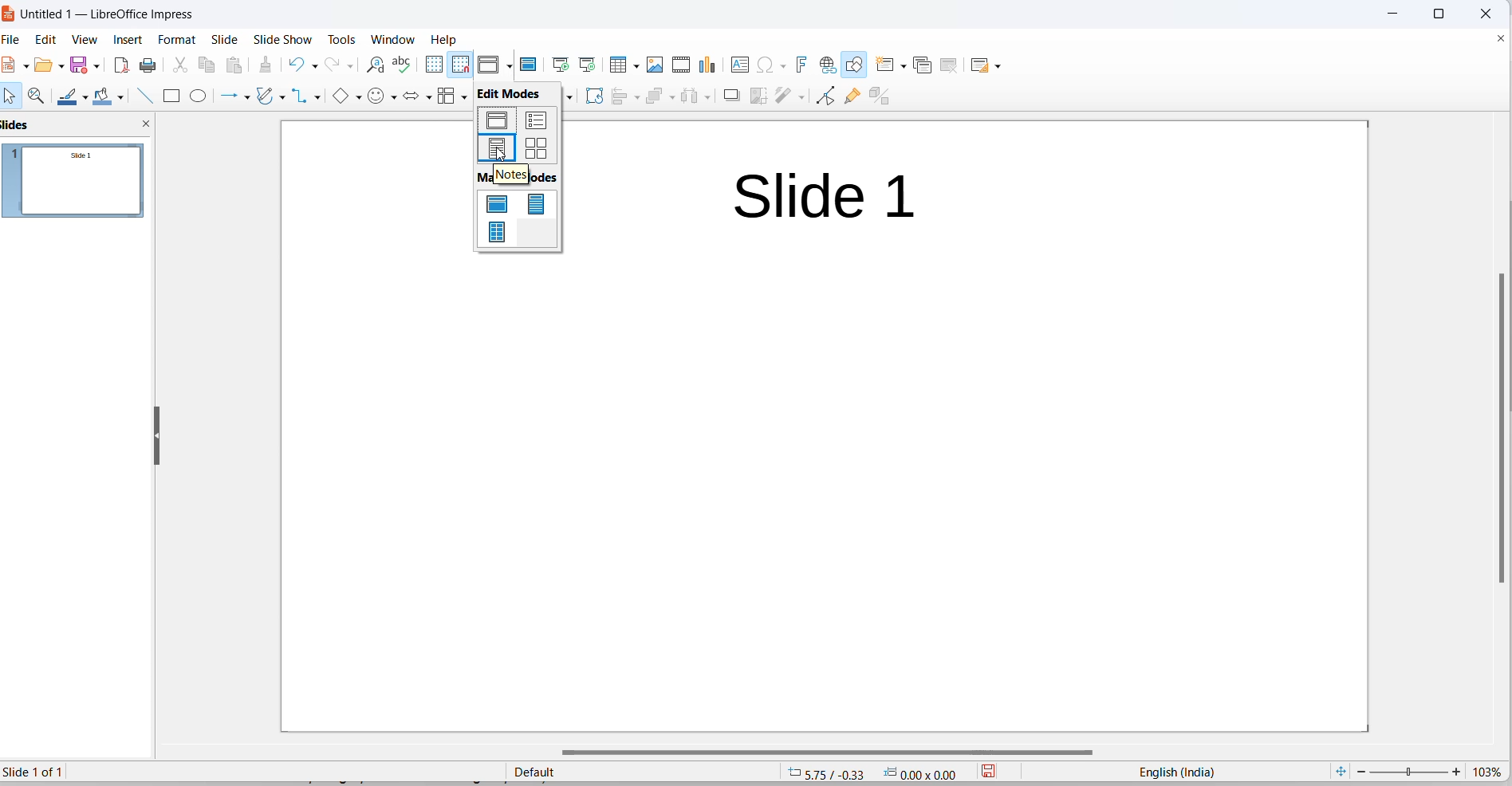  I want to click on normal, so click(498, 119).